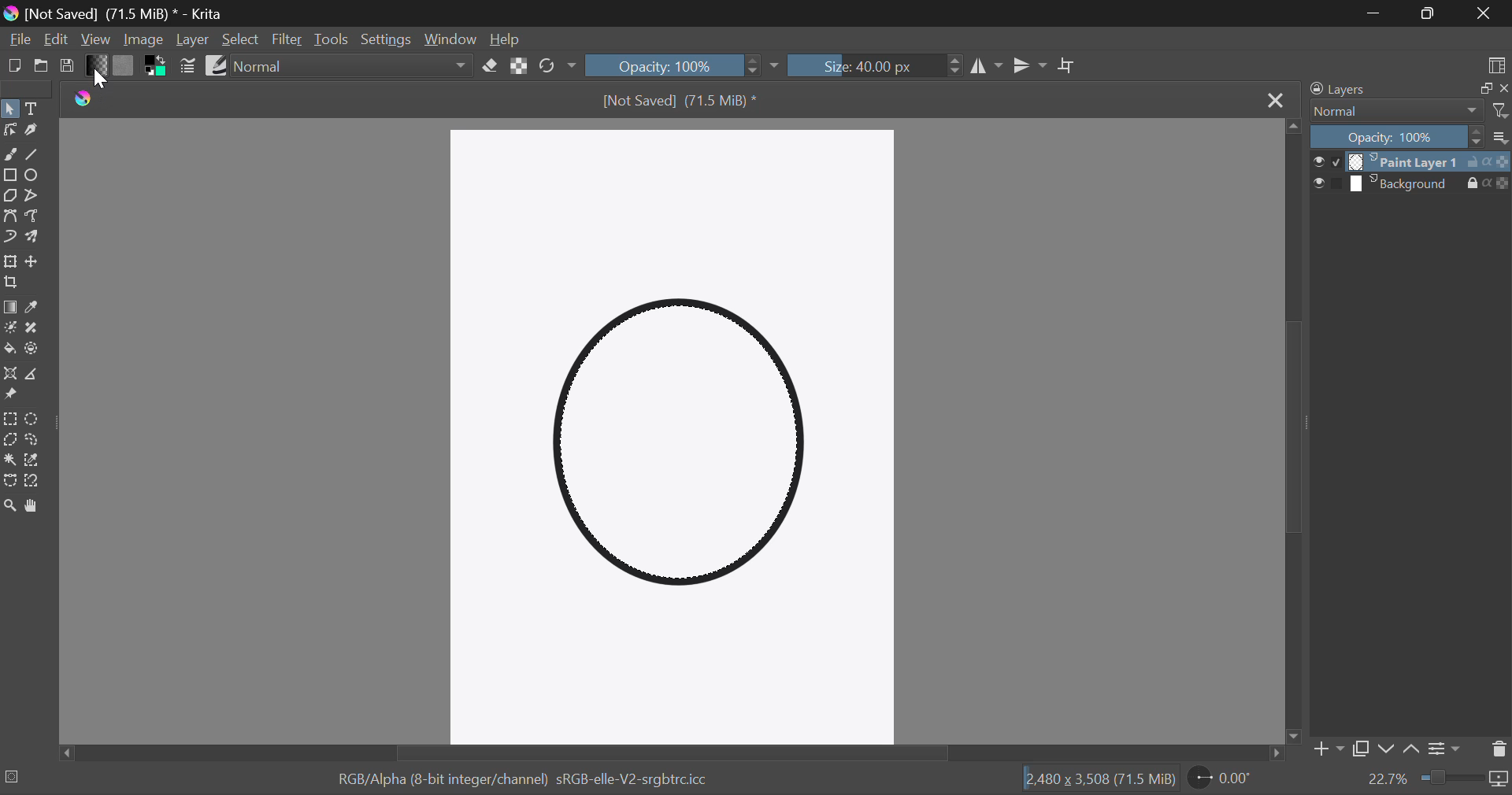 The image size is (1512, 795). What do you see at coordinates (10, 350) in the screenshot?
I see `Fill` at bounding box center [10, 350].